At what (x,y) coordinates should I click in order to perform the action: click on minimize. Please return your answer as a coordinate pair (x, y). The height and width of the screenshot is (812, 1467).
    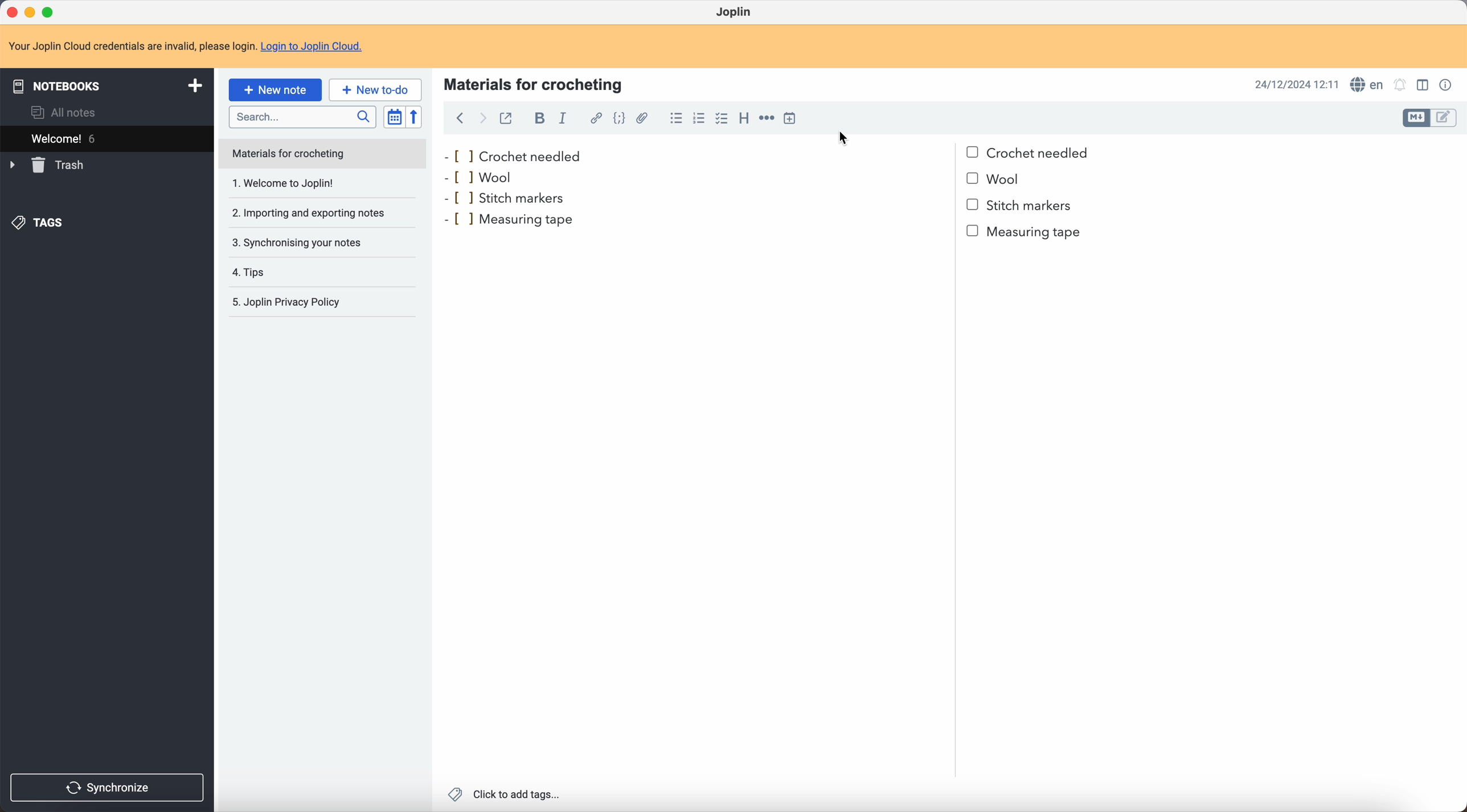
    Looking at the image, I should click on (32, 13).